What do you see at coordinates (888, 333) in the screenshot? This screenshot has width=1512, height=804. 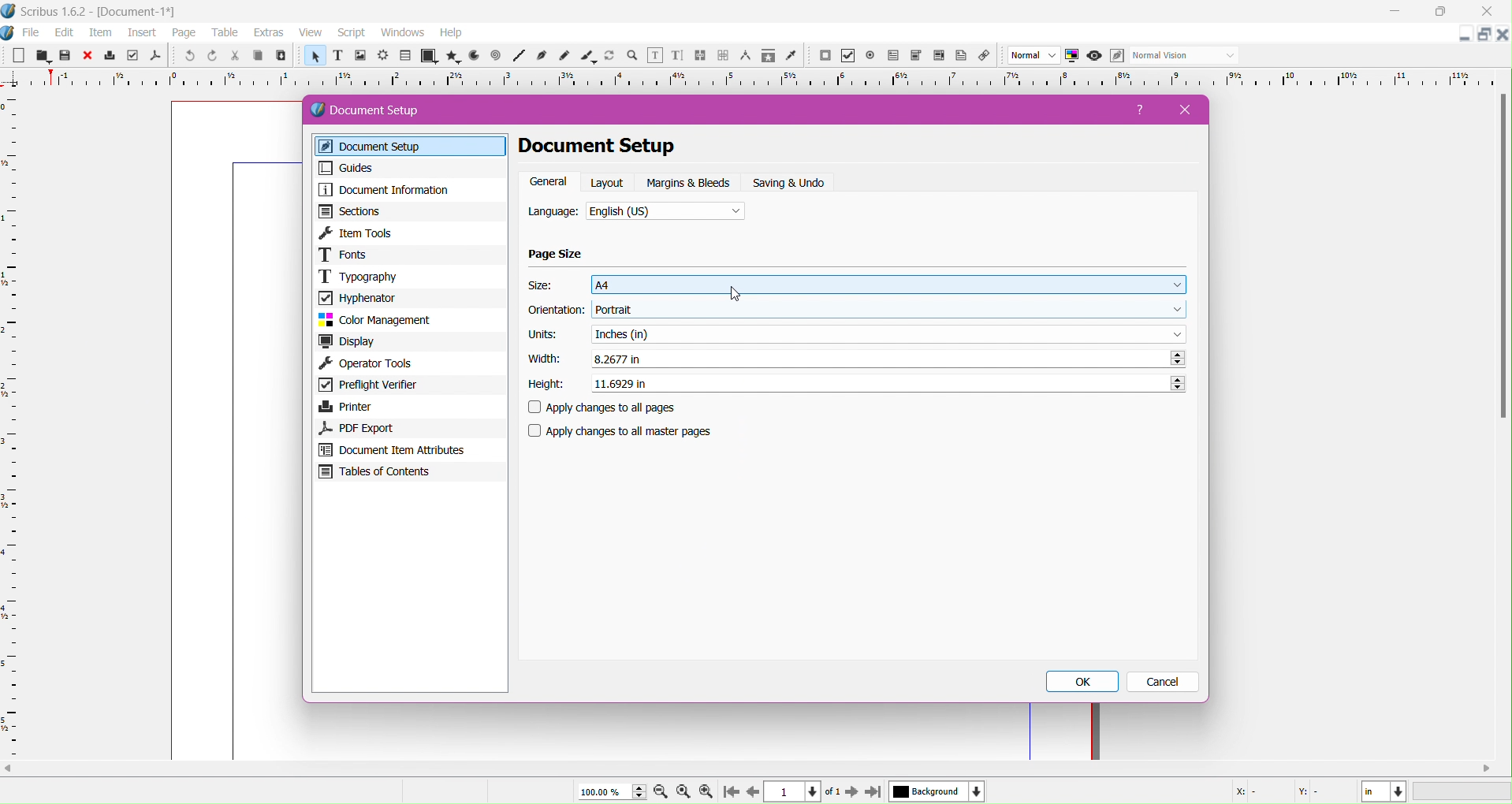 I see `Select the required Unit` at bounding box center [888, 333].